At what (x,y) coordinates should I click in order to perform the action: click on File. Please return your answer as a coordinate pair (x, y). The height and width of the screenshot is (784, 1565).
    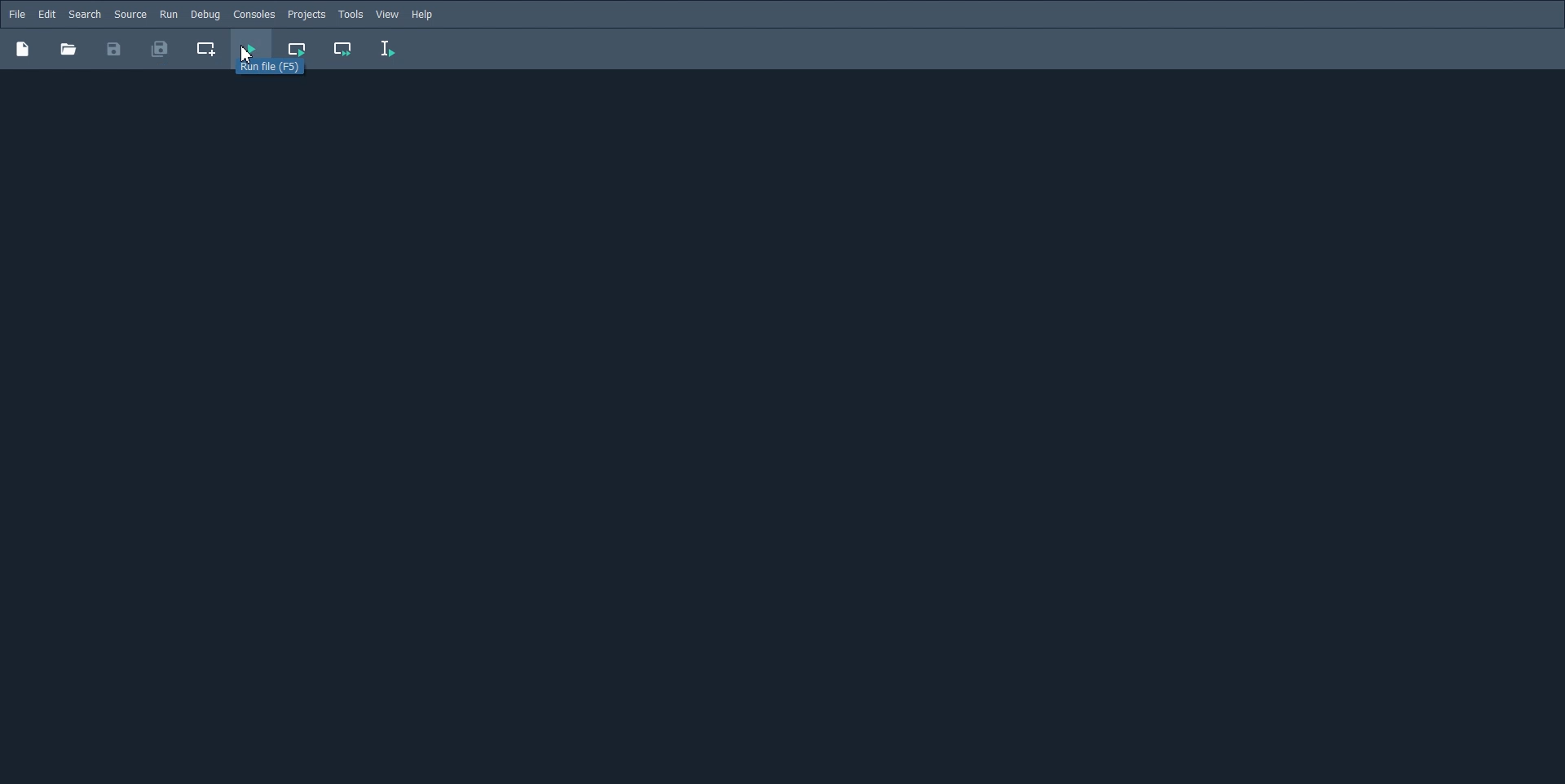
    Looking at the image, I should click on (17, 14).